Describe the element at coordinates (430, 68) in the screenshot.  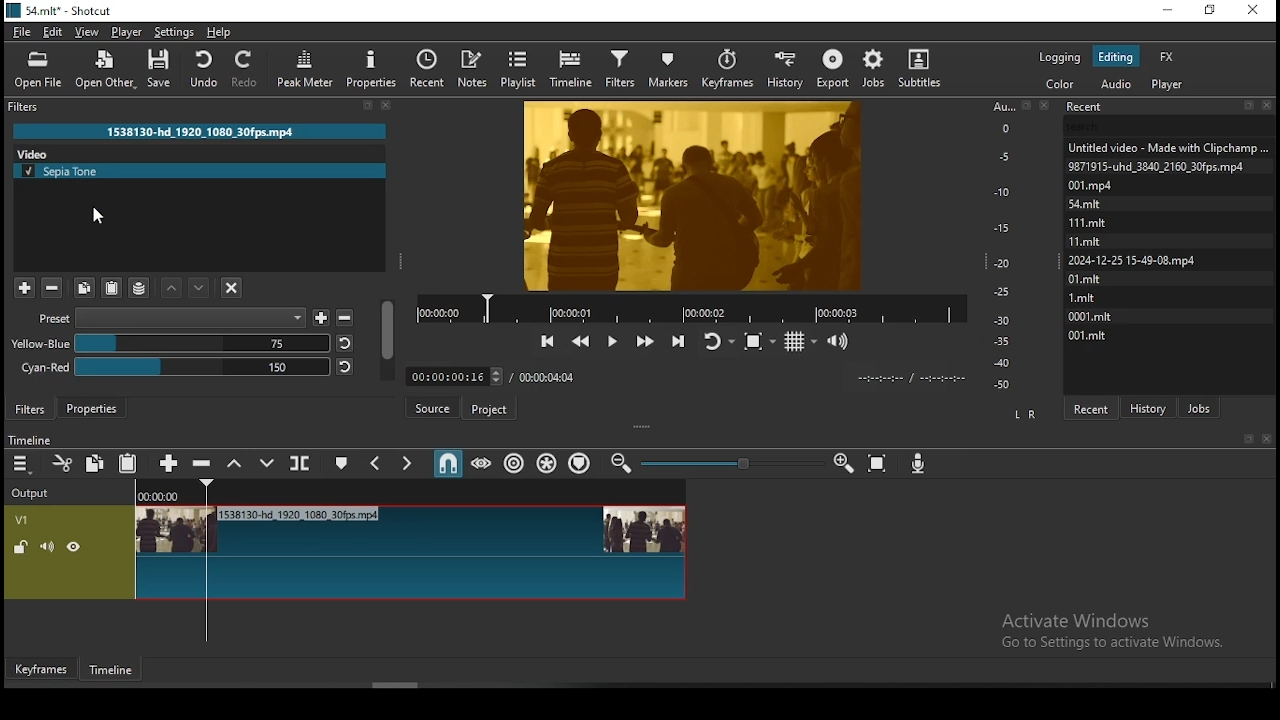
I see `recent` at that location.